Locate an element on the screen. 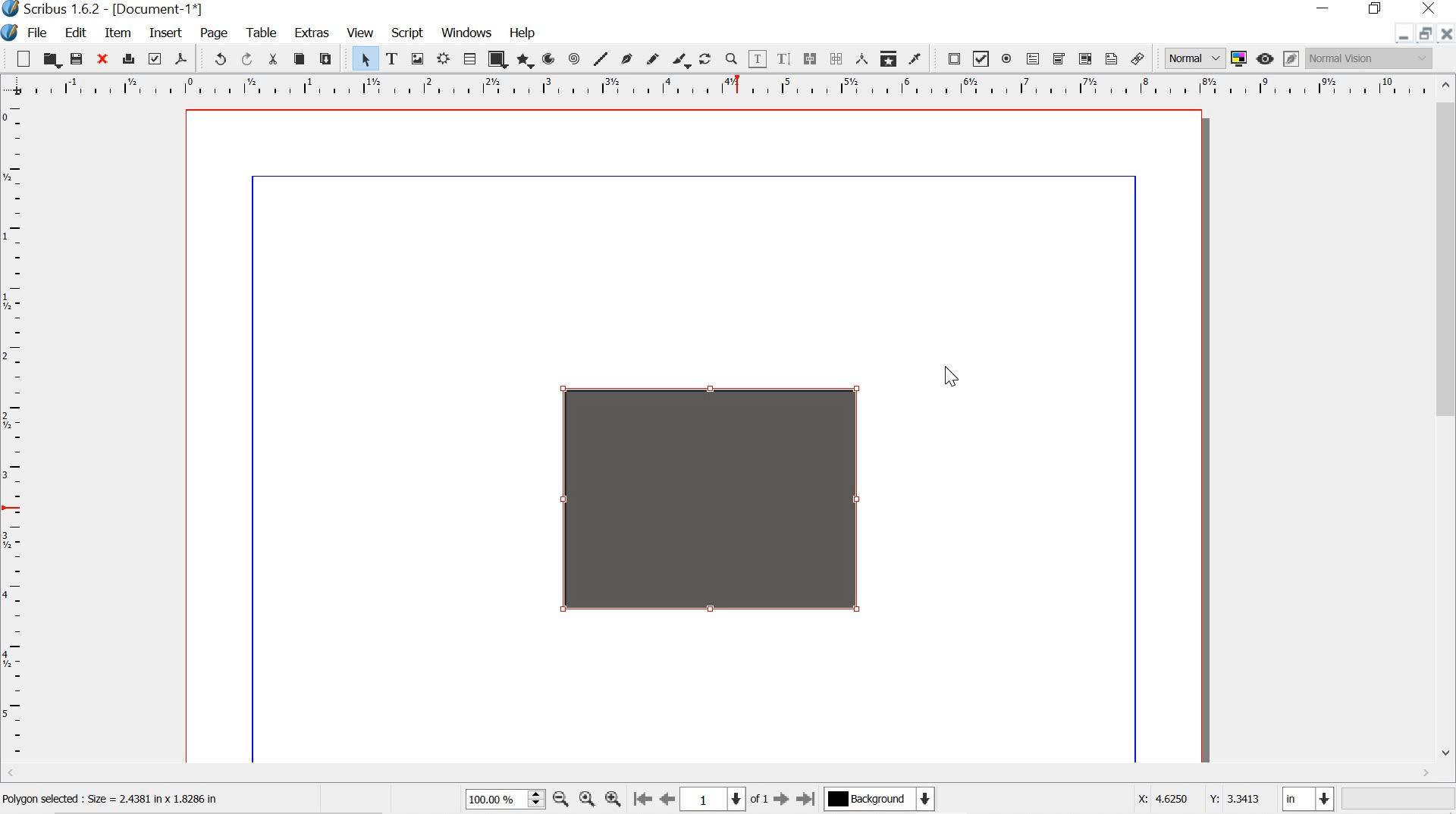 The height and width of the screenshot is (814, 1456). windows is located at coordinates (468, 32).